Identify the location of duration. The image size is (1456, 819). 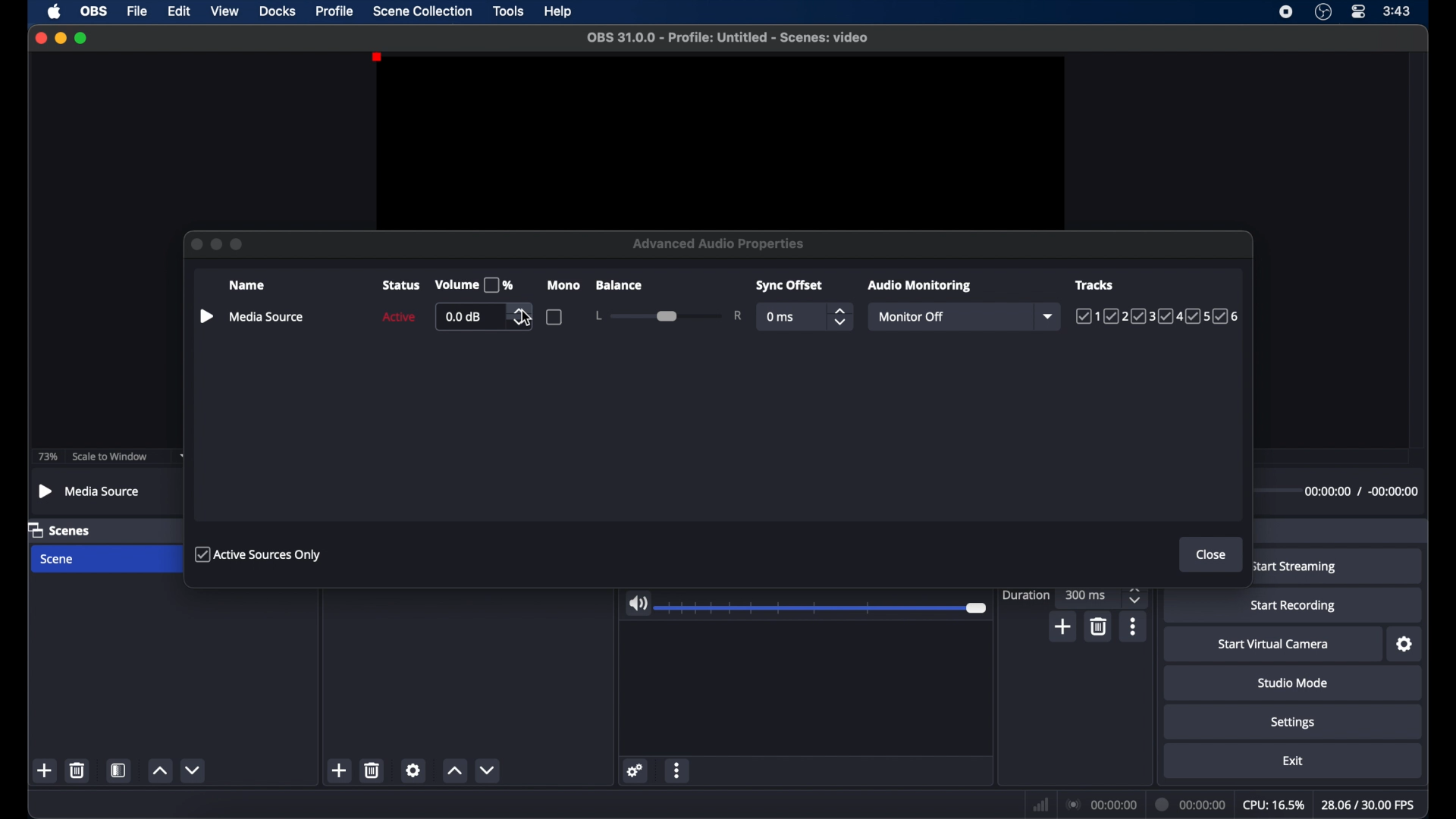
(1027, 596).